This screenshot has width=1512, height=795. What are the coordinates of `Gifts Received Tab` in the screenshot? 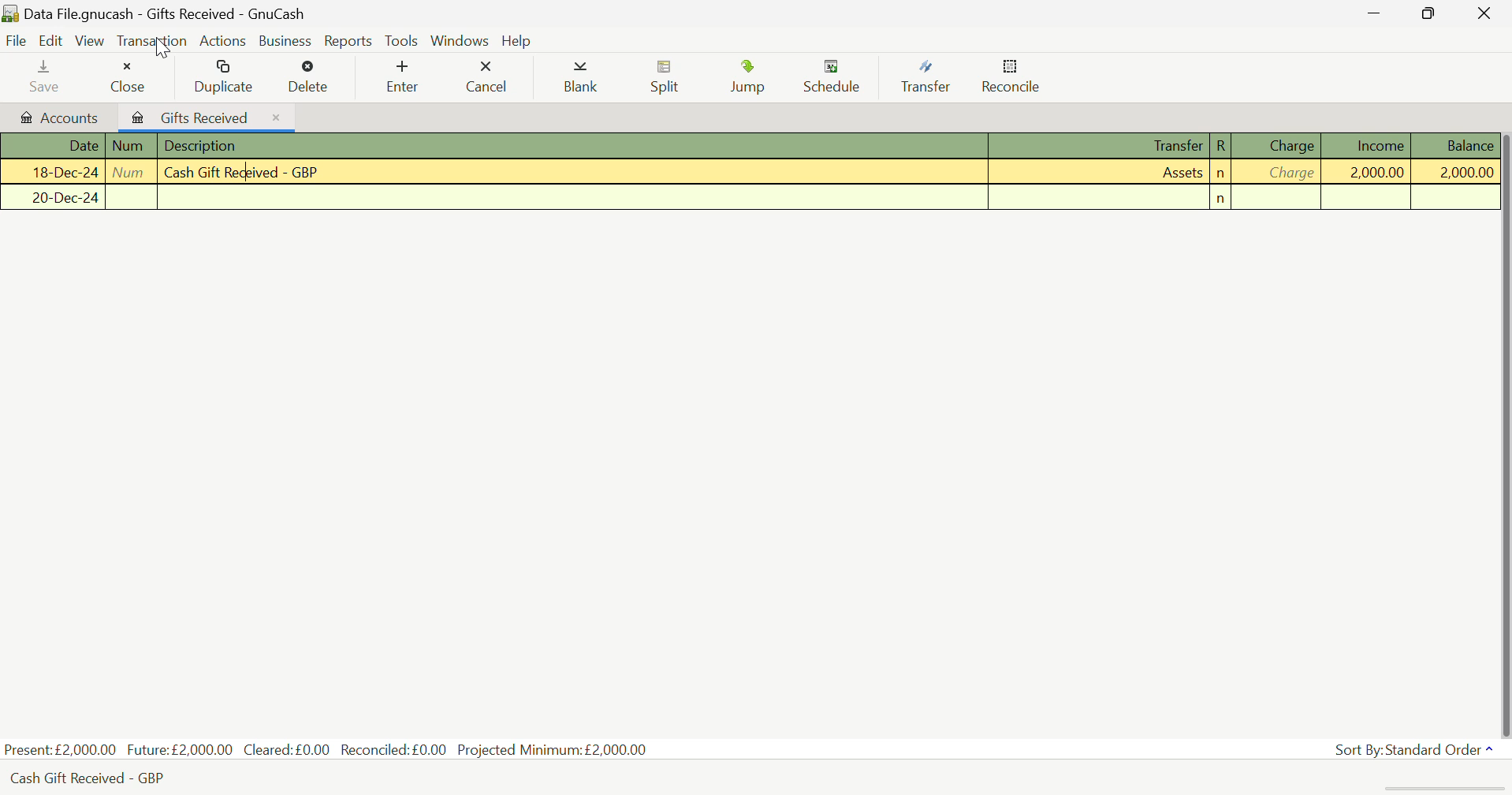 It's located at (208, 115).